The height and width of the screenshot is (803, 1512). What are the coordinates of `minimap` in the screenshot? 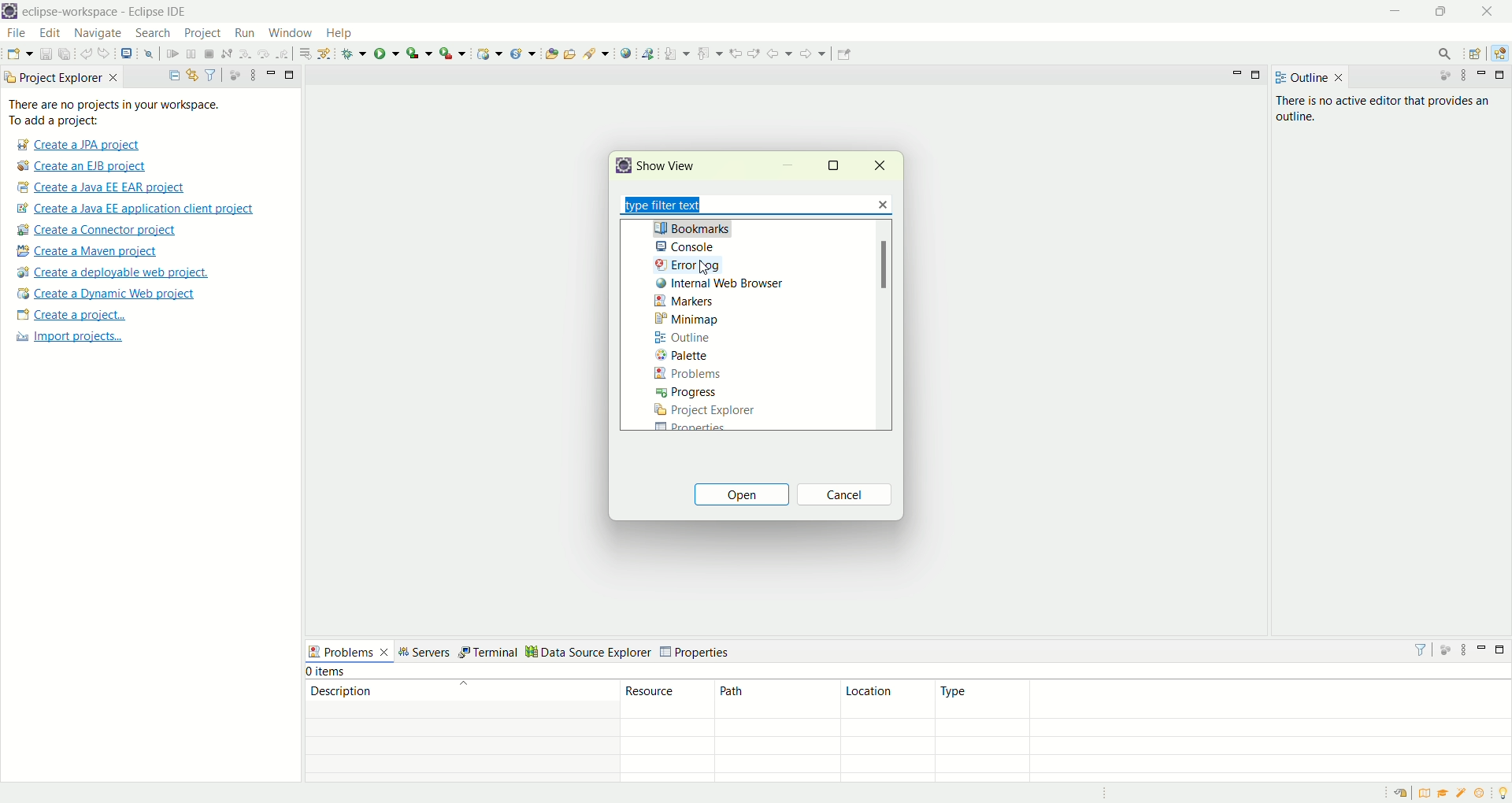 It's located at (689, 320).